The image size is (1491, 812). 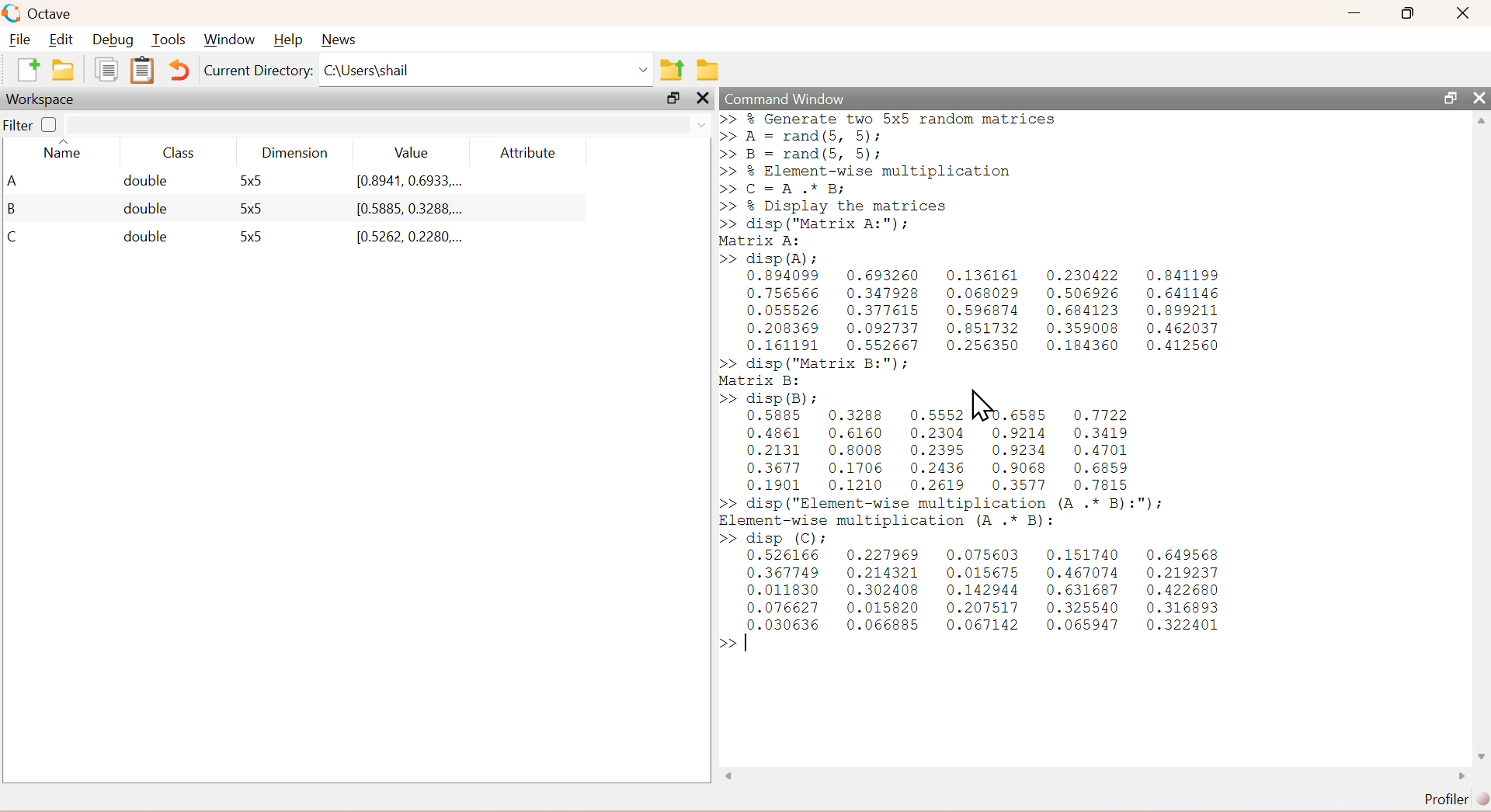 What do you see at coordinates (1458, 774) in the screenshot?
I see `Right` at bounding box center [1458, 774].